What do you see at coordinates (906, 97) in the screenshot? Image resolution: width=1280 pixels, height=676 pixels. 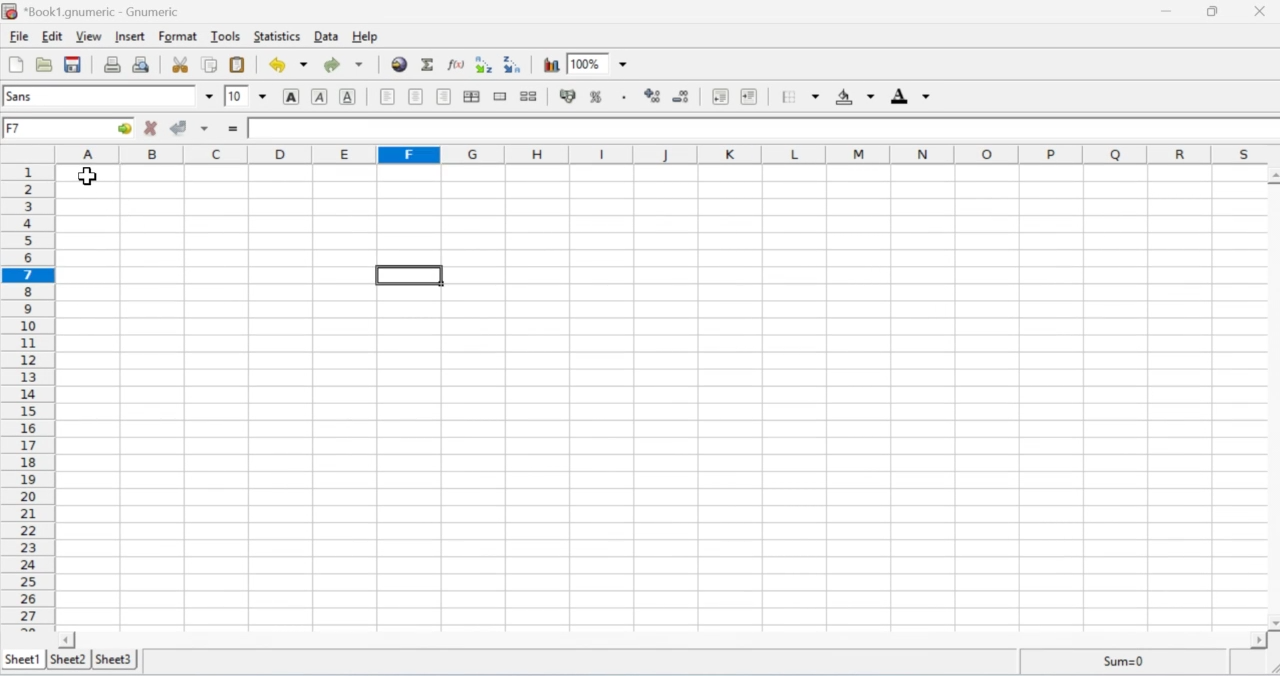 I see `Foreground` at bounding box center [906, 97].